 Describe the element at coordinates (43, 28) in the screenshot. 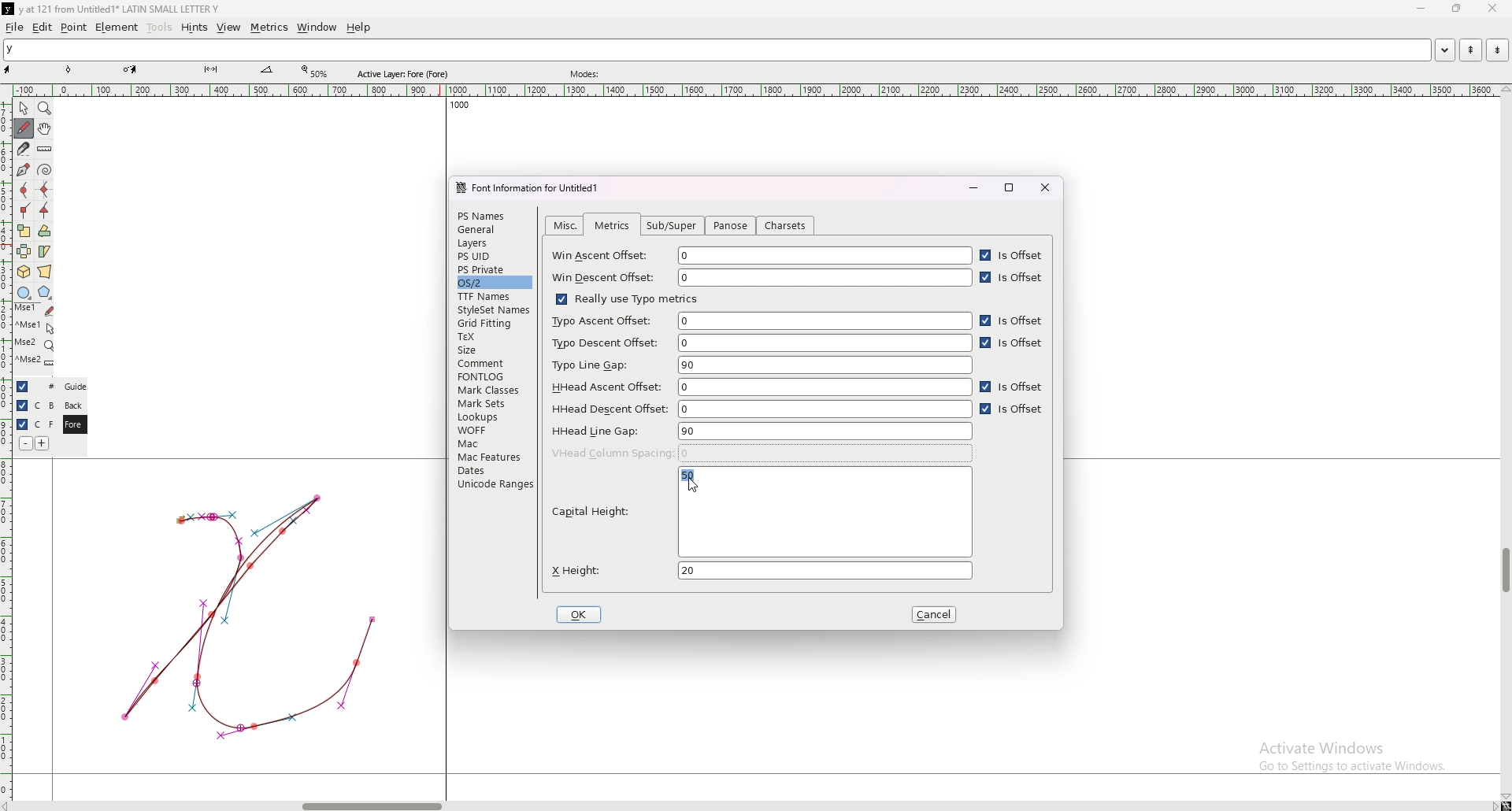

I see `edit` at that location.